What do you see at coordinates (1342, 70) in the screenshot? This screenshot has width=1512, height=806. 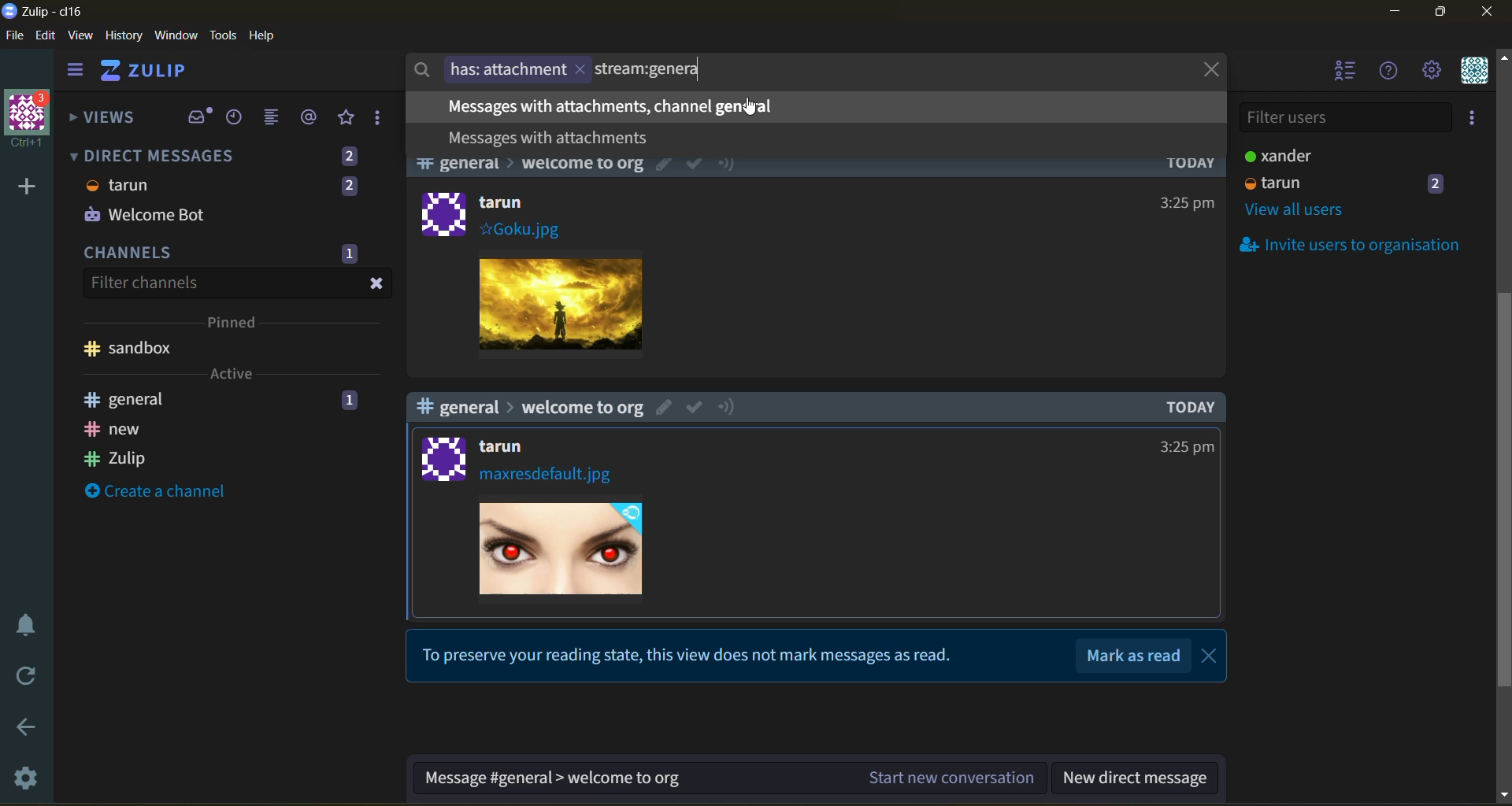 I see `hide users list` at bounding box center [1342, 70].